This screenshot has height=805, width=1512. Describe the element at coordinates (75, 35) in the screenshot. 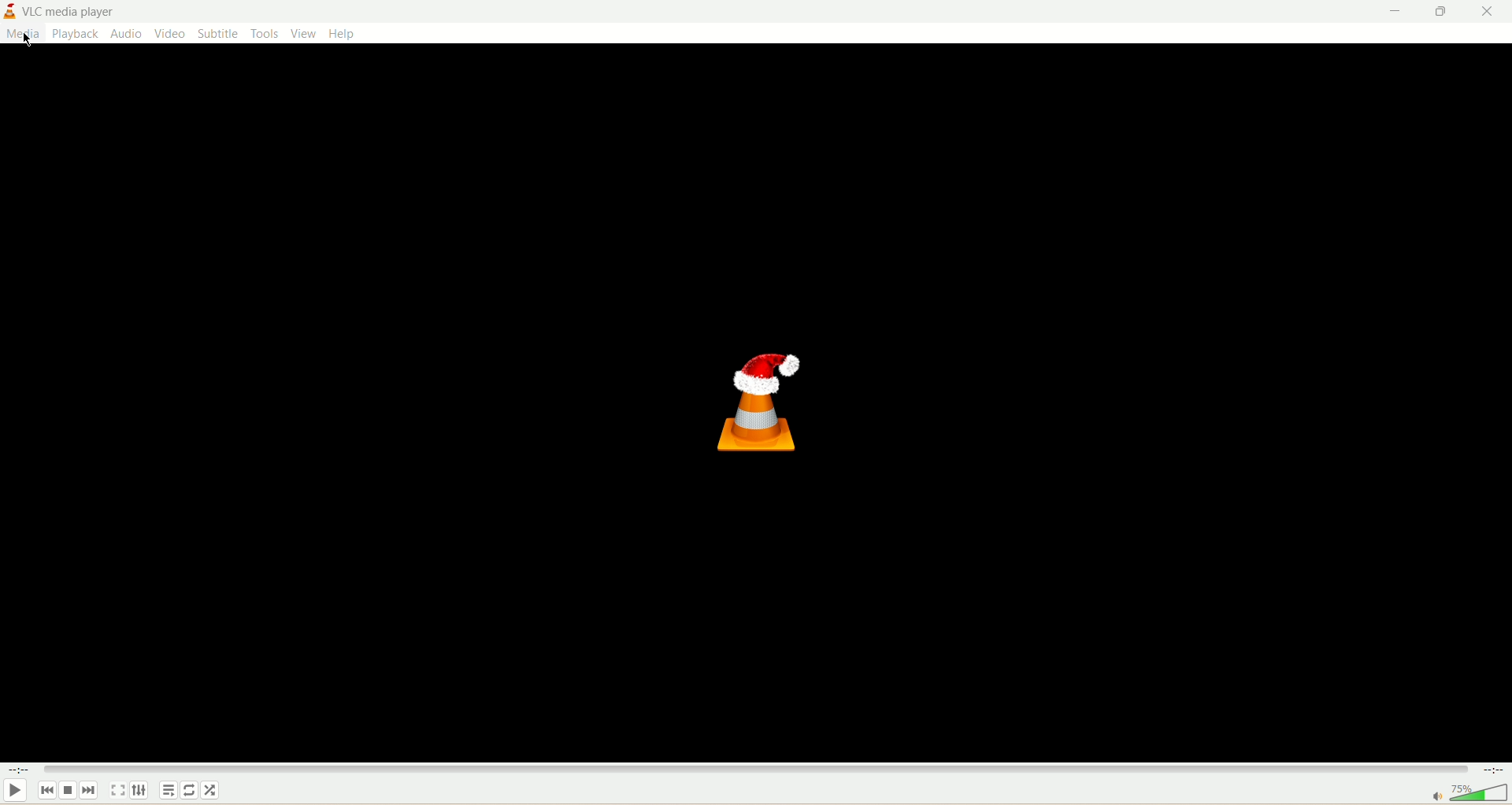

I see `playback` at that location.